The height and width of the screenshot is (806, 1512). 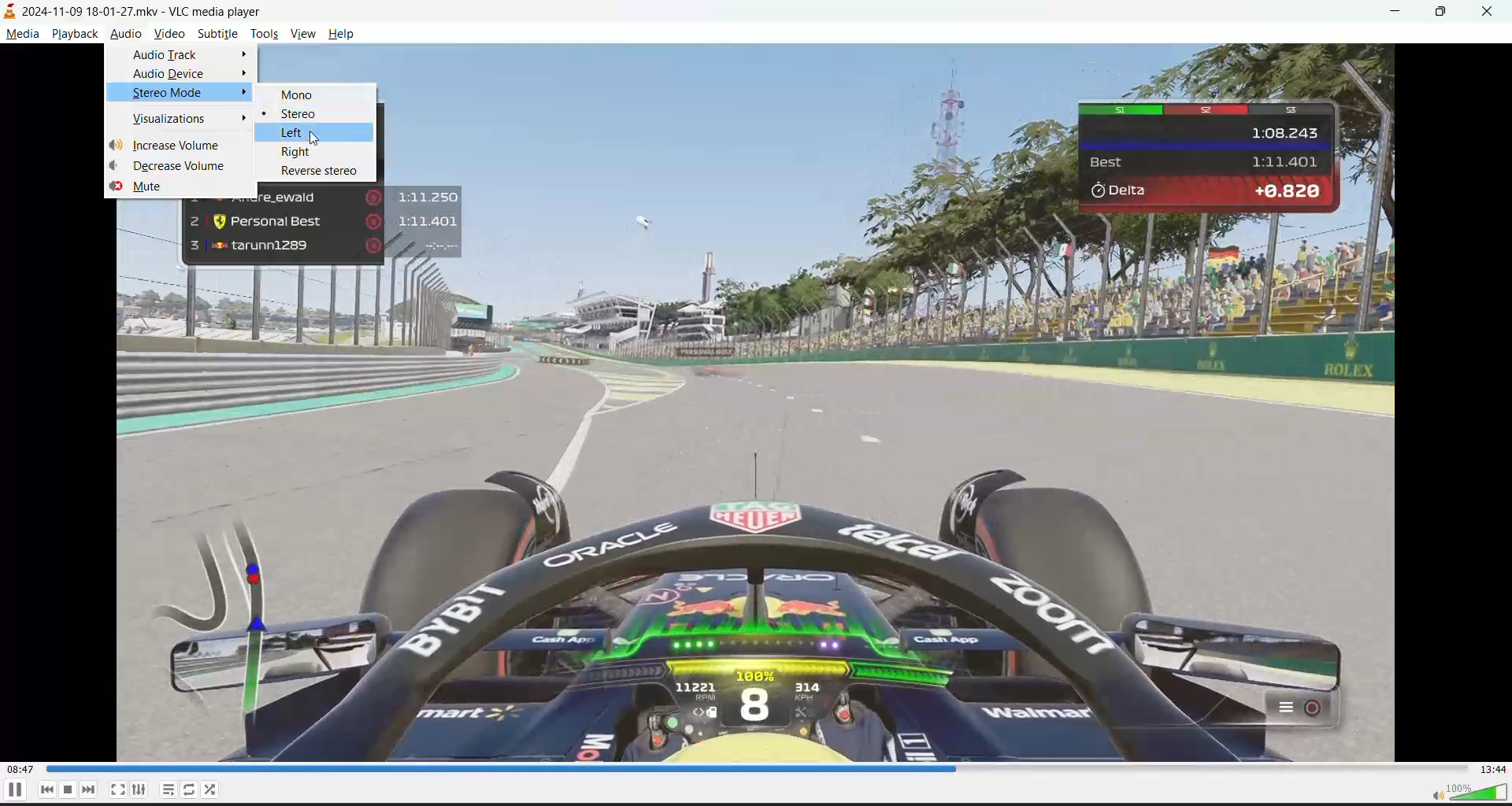 What do you see at coordinates (20, 766) in the screenshot?
I see `current track time` at bounding box center [20, 766].